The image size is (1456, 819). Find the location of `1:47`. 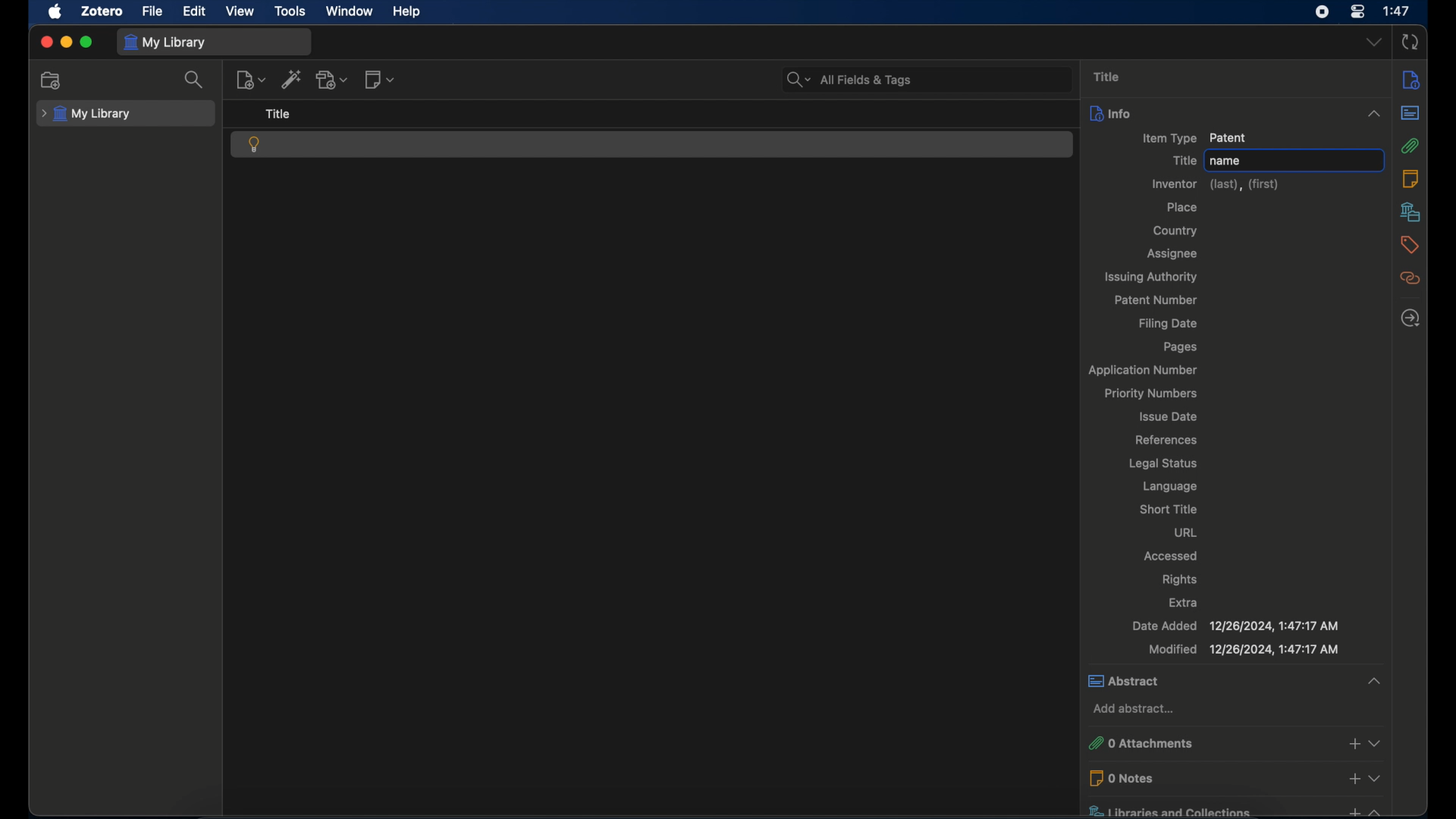

1:47 is located at coordinates (1398, 10).